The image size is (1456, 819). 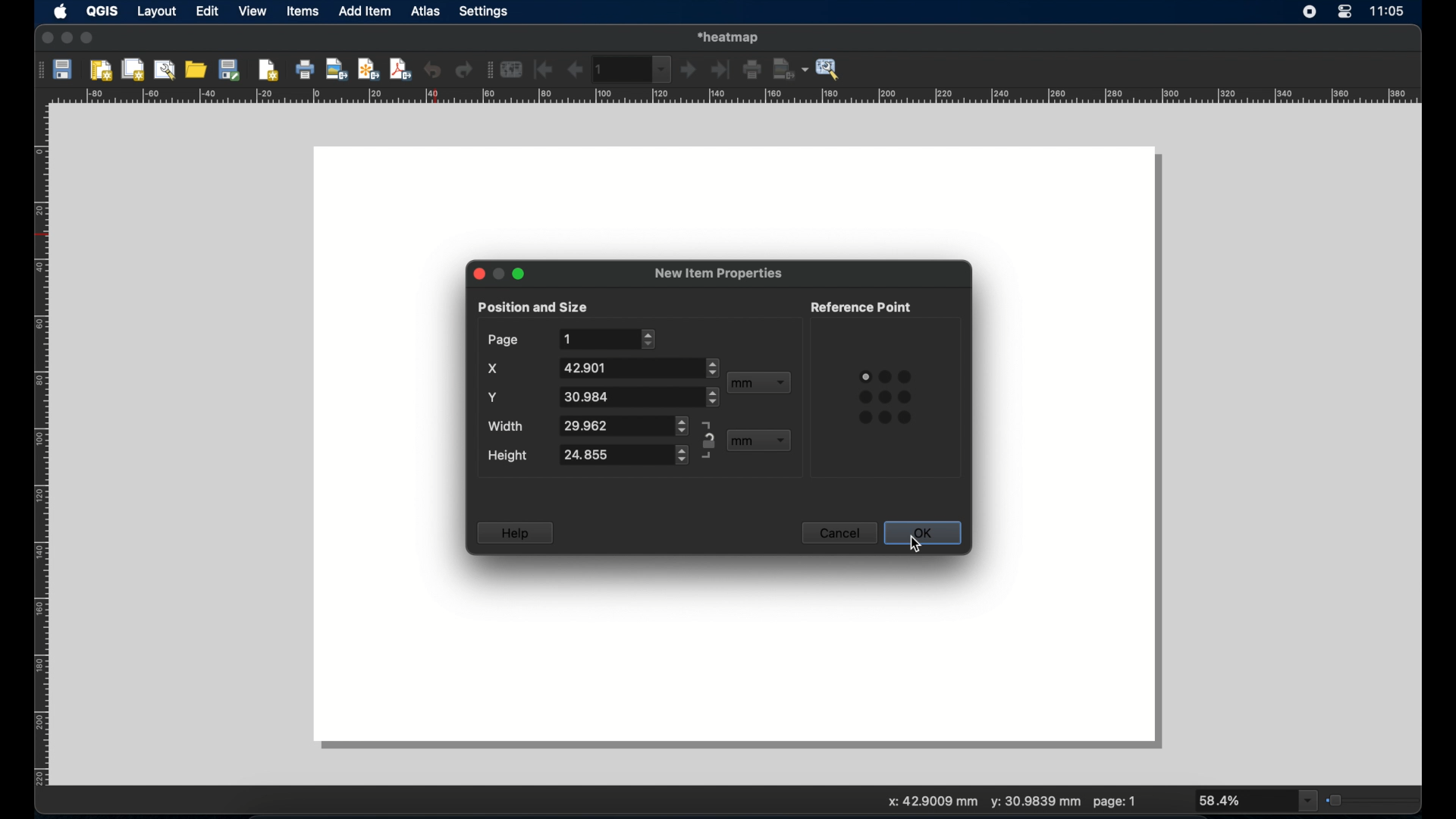 What do you see at coordinates (59, 11) in the screenshot?
I see `apple icon` at bounding box center [59, 11].